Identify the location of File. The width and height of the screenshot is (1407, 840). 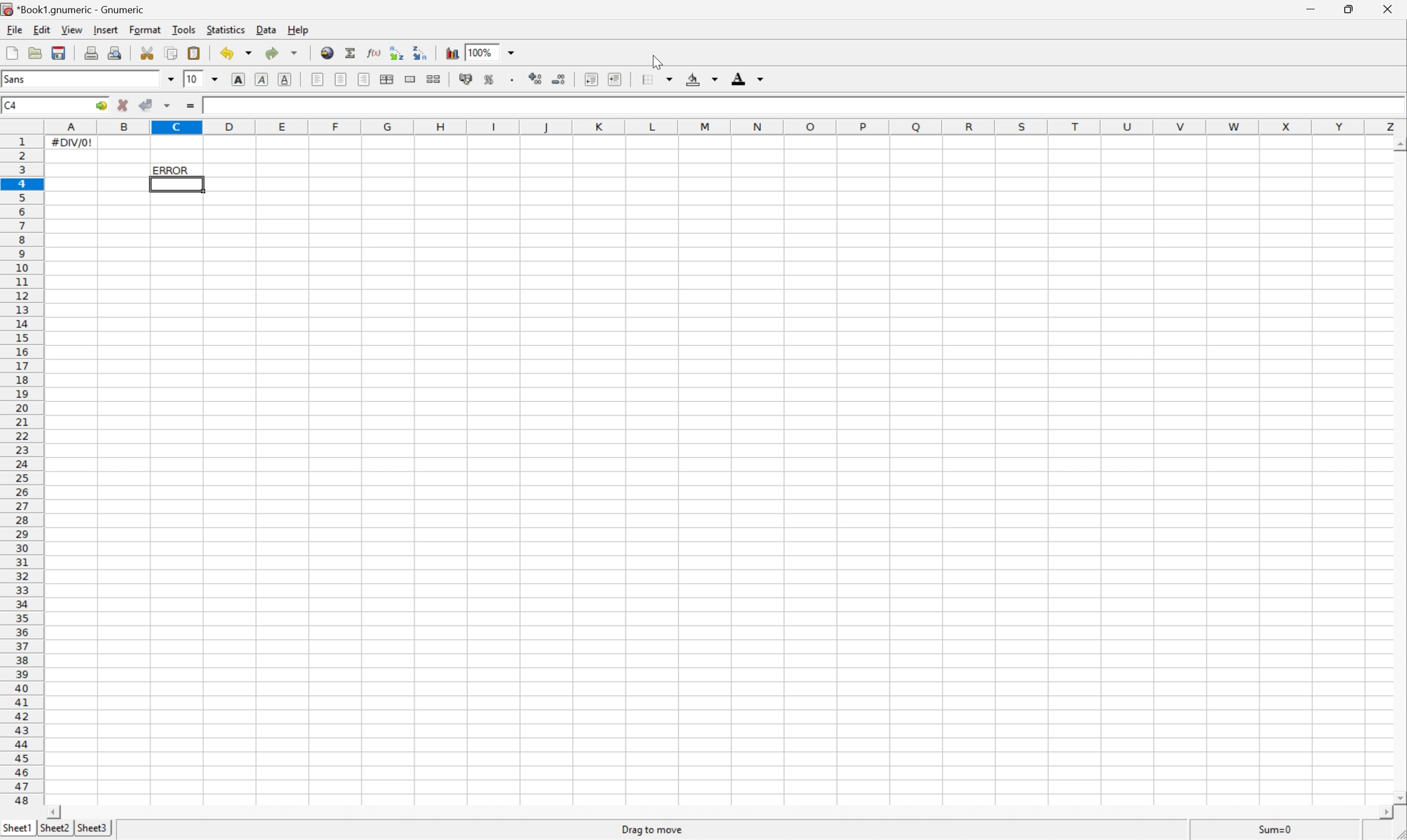
(15, 30).